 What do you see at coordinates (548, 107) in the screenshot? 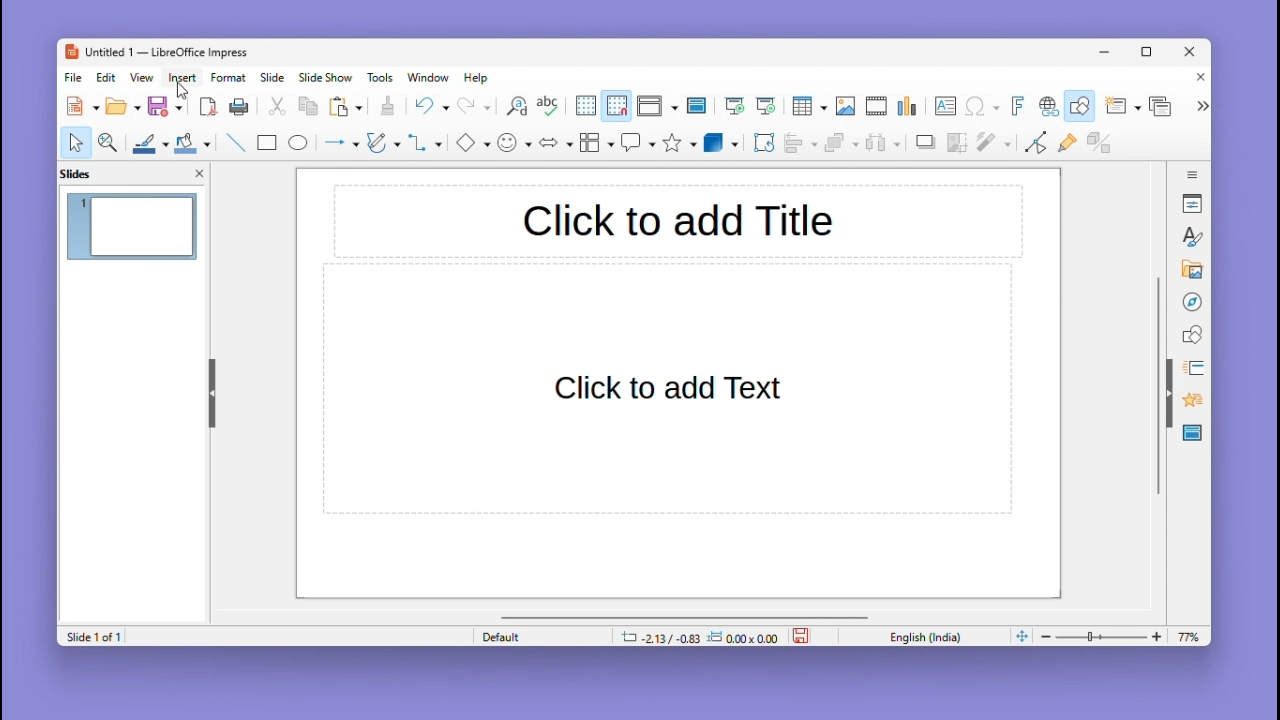
I see `spelling` at bounding box center [548, 107].